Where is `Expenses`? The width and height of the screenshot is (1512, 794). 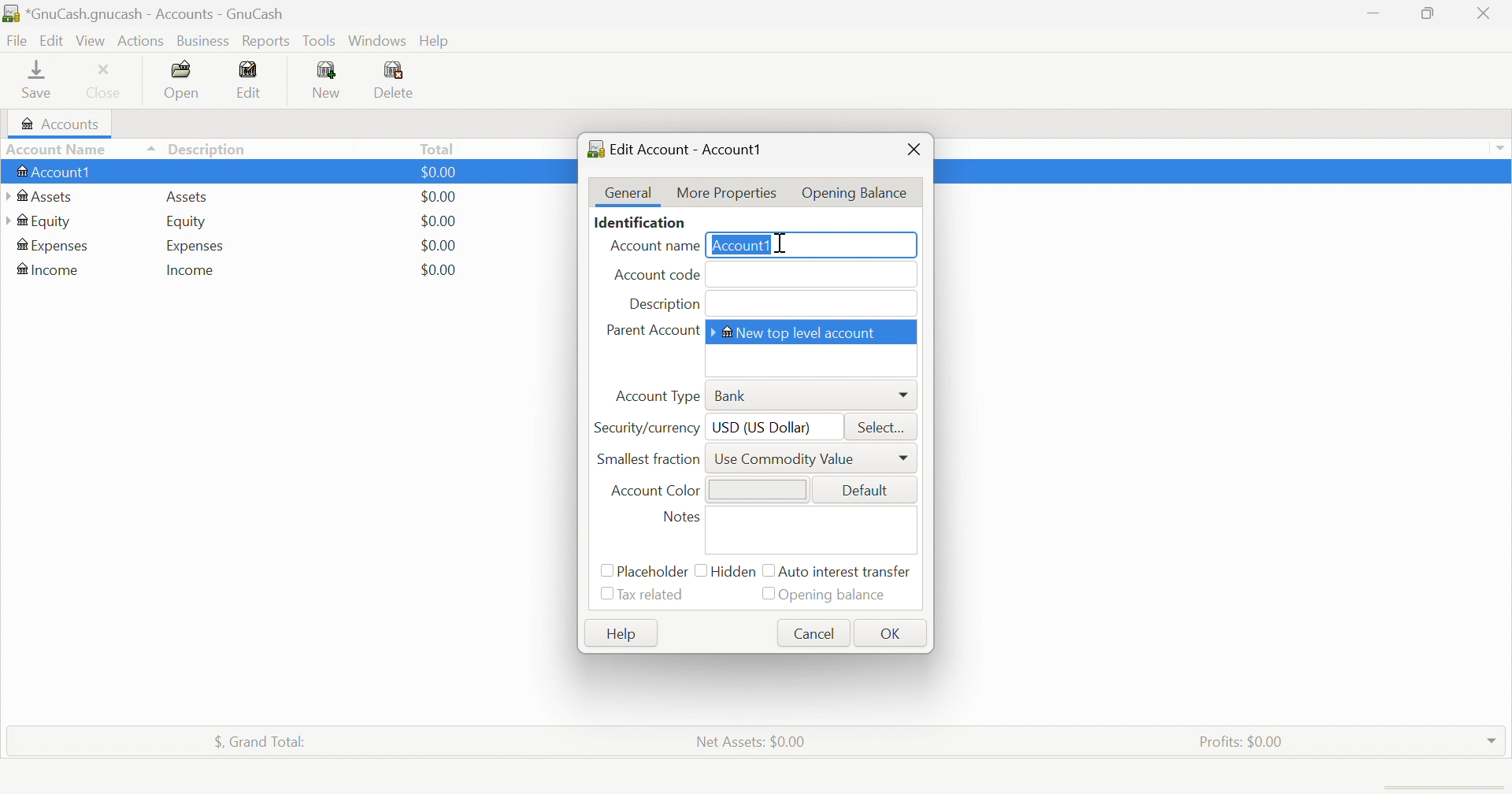 Expenses is located at coordinates (50, 246).